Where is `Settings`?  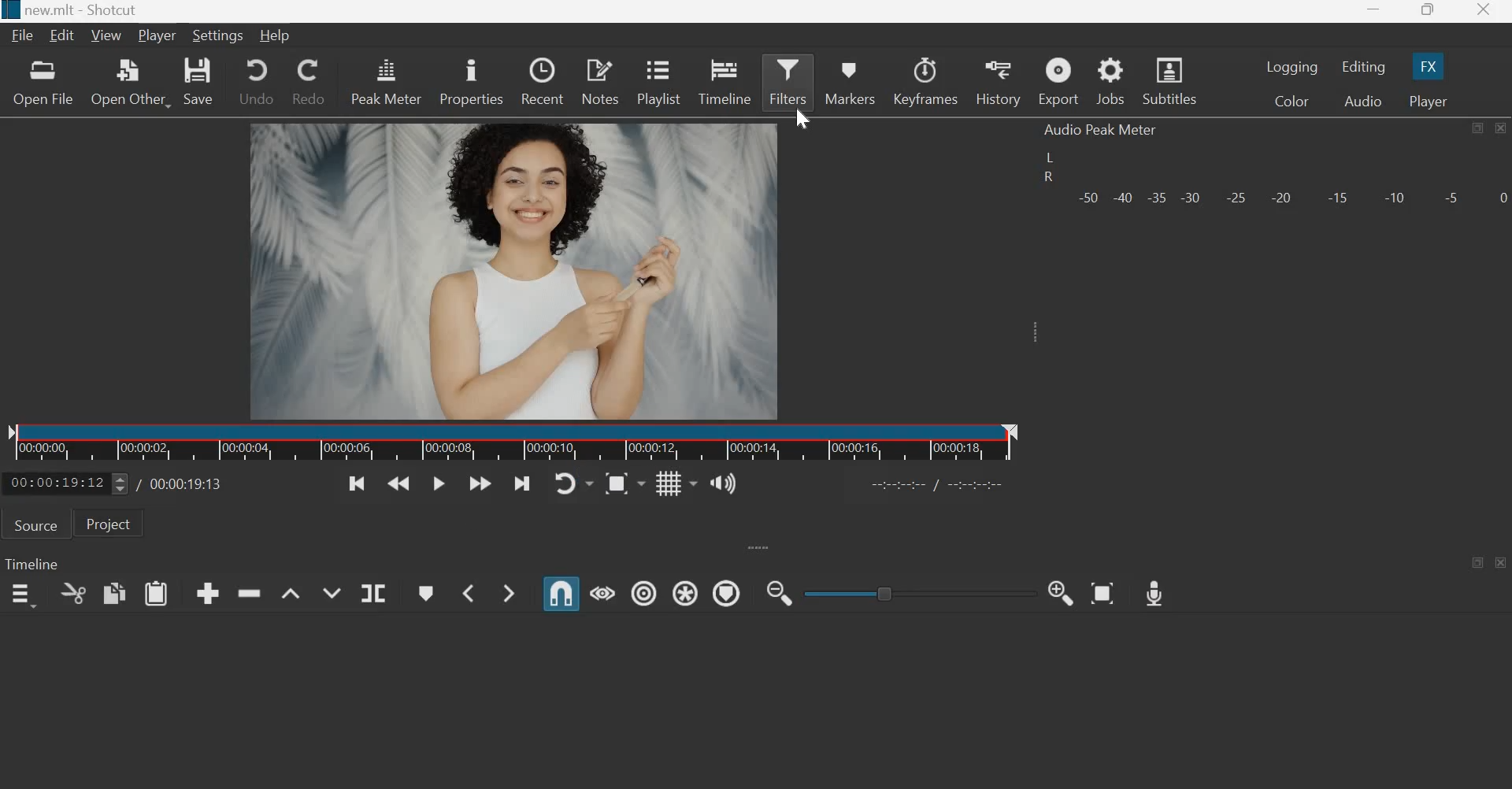
Settings is located at coordinates (219, 35).